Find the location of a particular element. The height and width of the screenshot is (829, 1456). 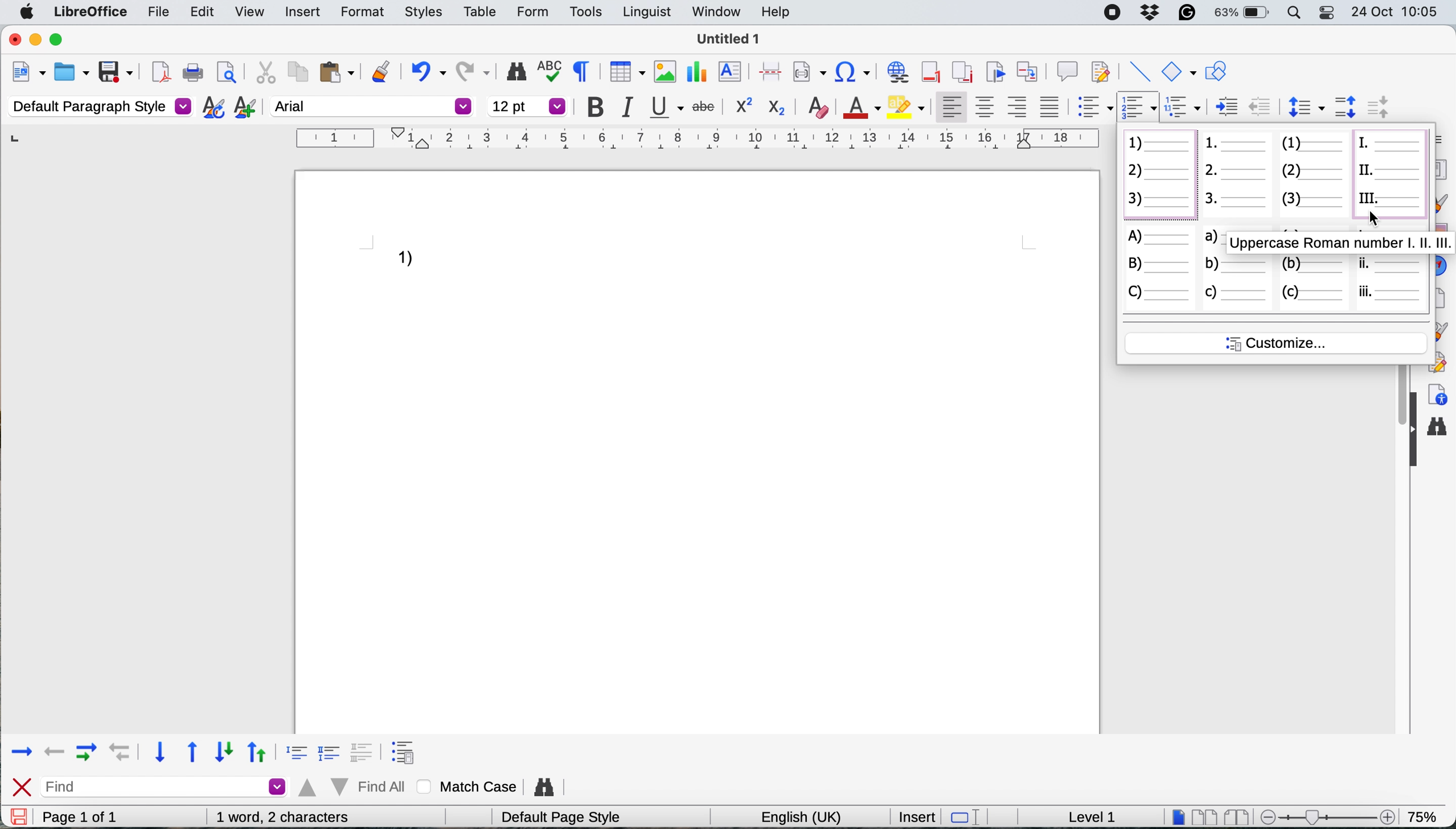

inesrt chart is located at coordinates (698, 72).